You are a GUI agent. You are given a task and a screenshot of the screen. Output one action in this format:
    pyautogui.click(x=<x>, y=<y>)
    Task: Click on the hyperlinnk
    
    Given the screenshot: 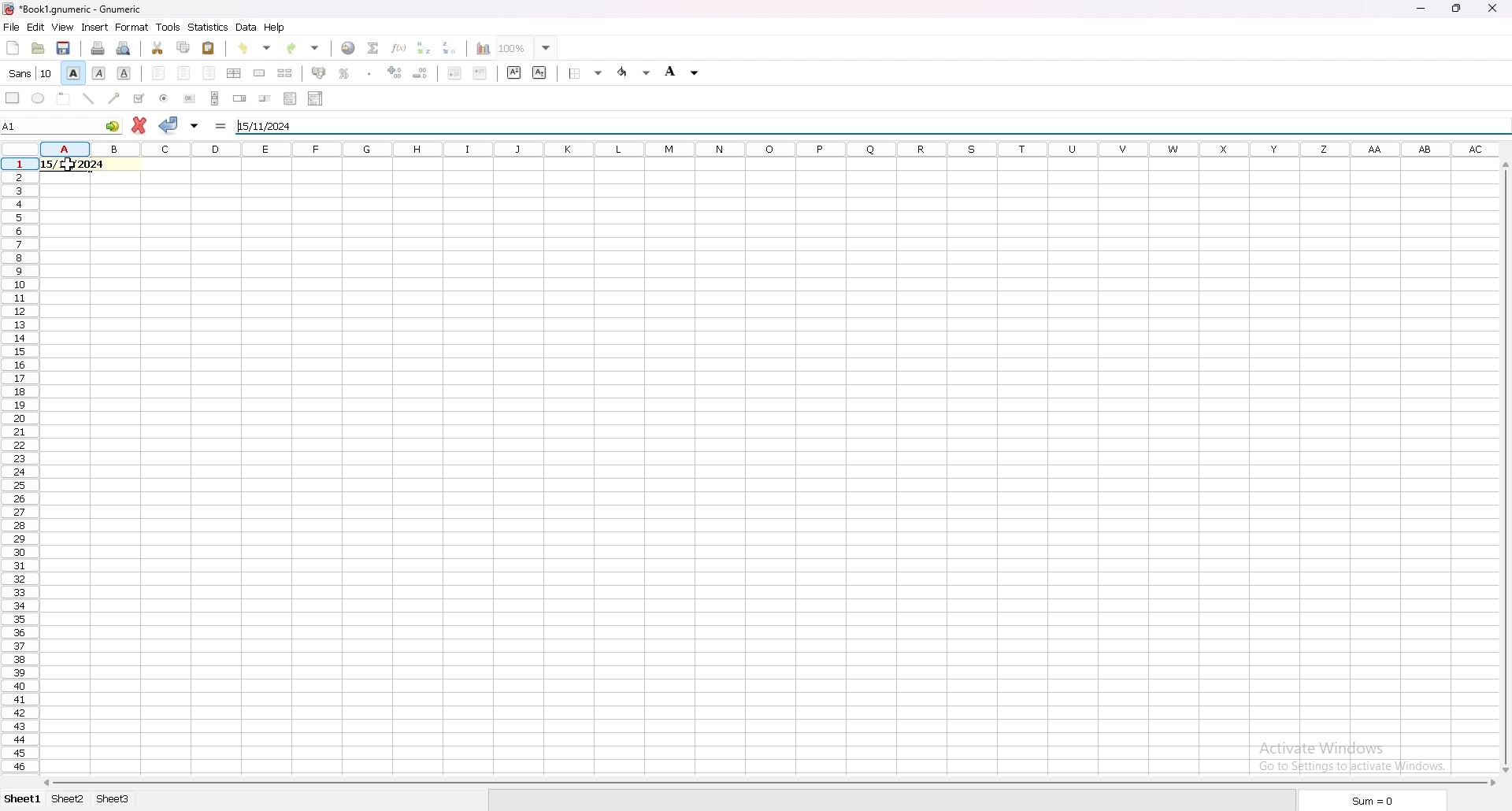 What is the action you would take?
    pyautogui.click(x=349, y=47)
    